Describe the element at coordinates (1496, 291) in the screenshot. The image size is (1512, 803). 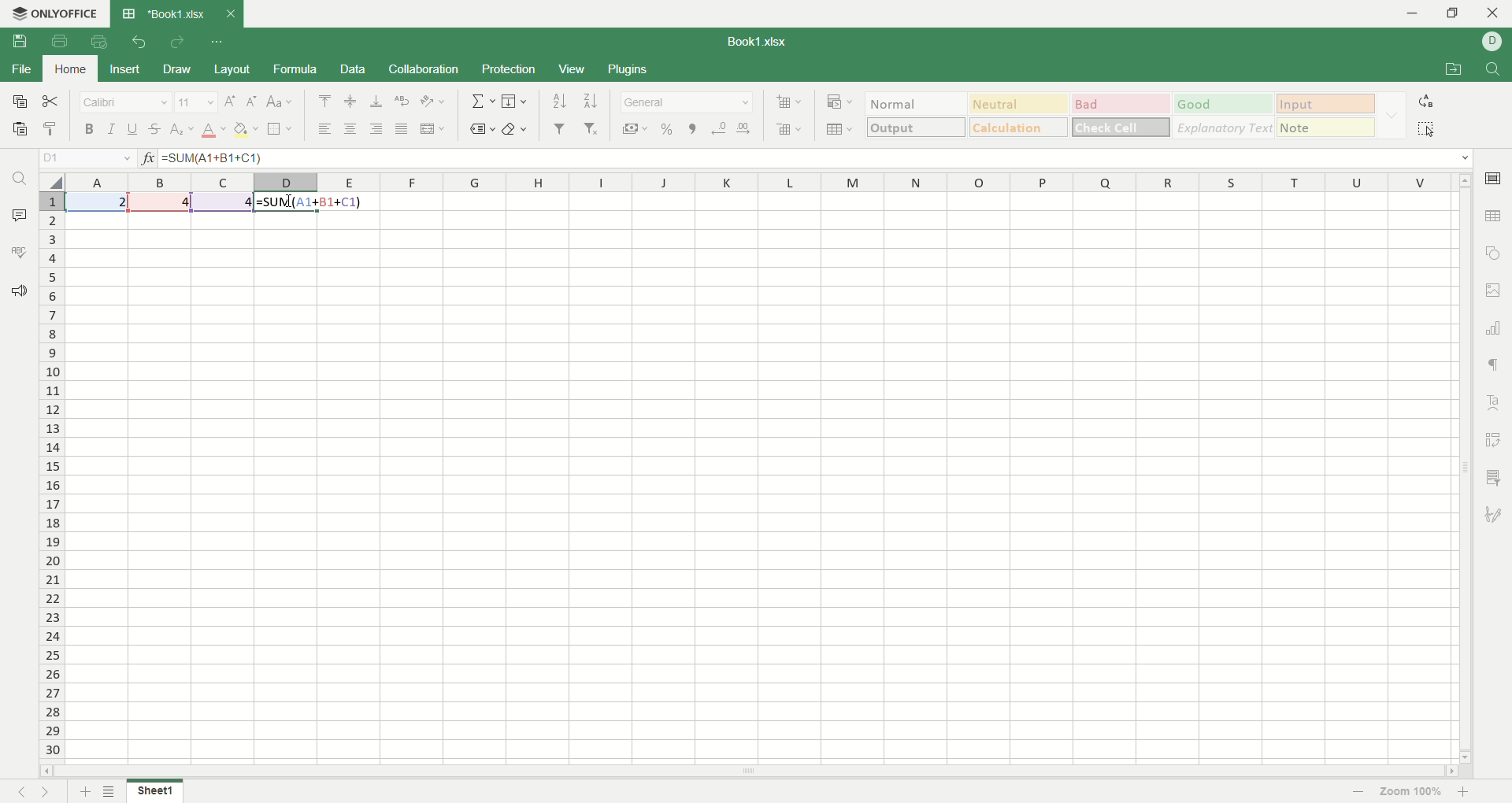
I see `image settings` at that location.